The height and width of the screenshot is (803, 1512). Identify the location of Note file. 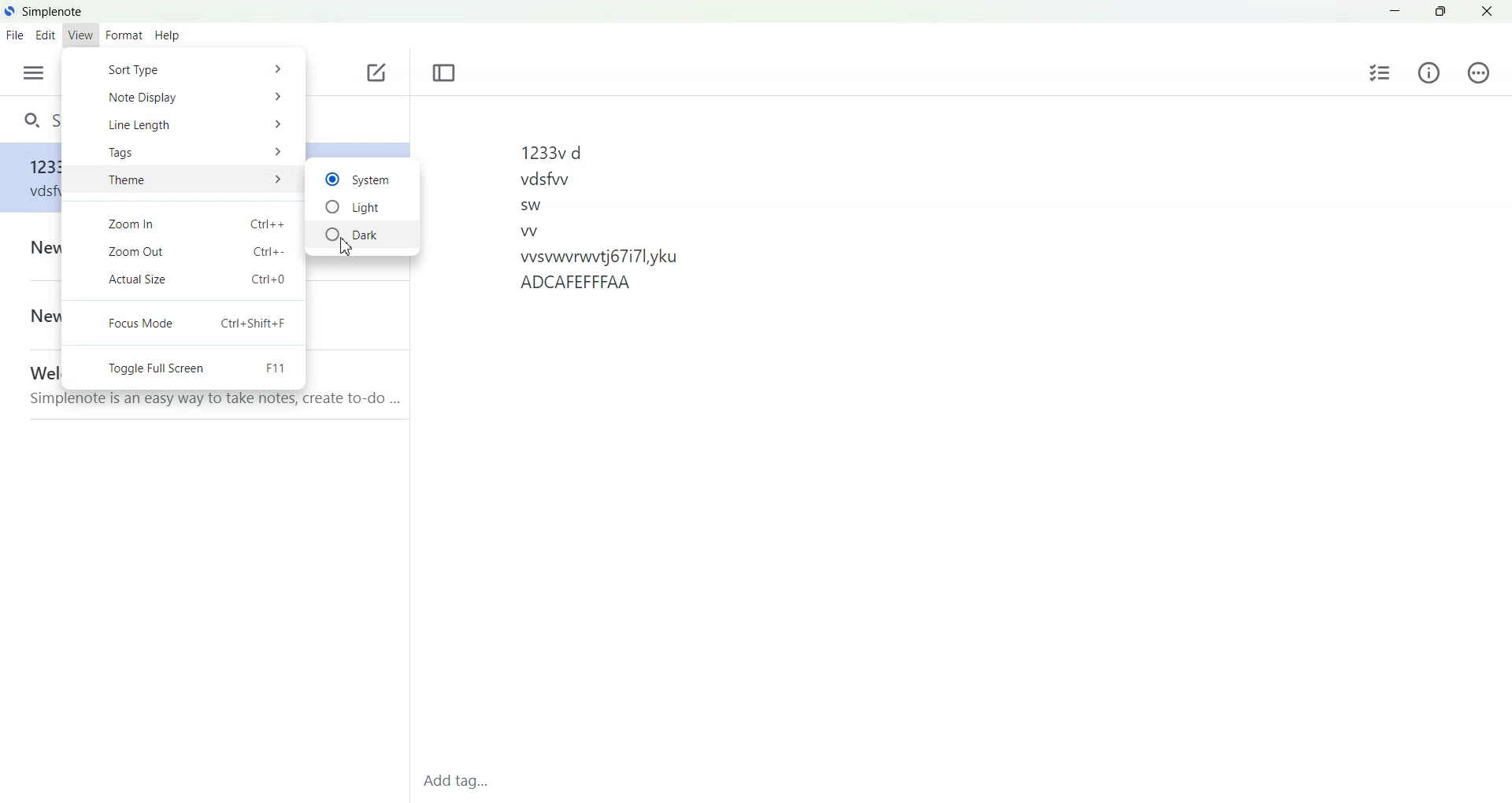
(34, 181).